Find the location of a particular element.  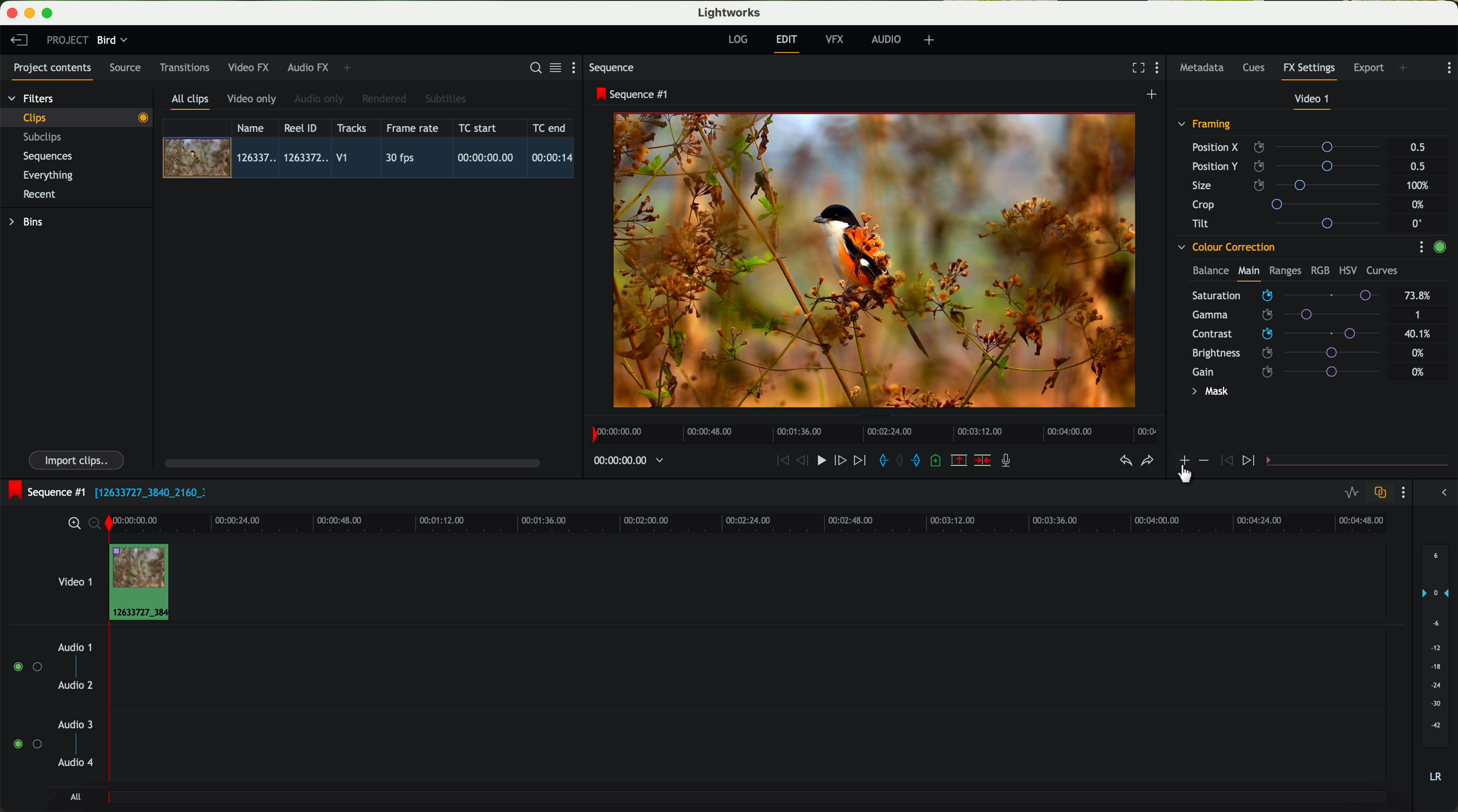

curves is located at coordinates (1382, 271).